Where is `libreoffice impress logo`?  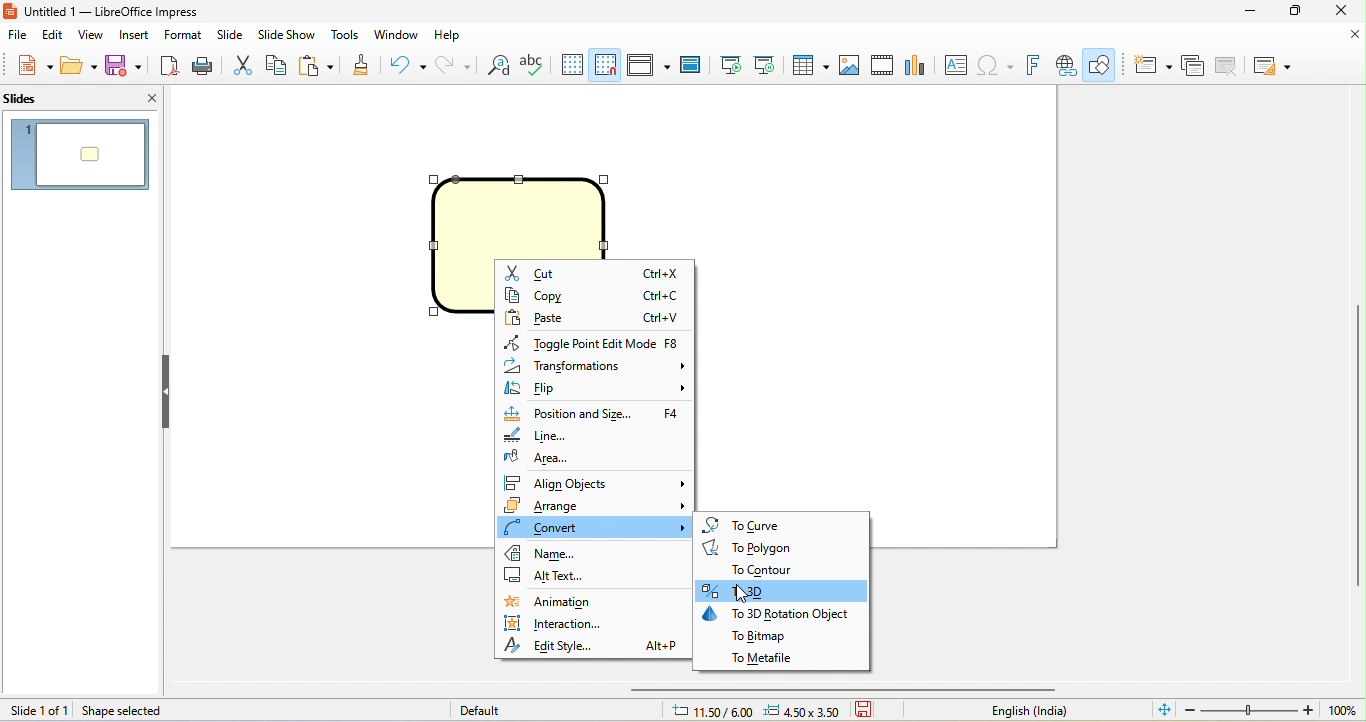
libreoffice impress logo is located at coordinates (13, 11).